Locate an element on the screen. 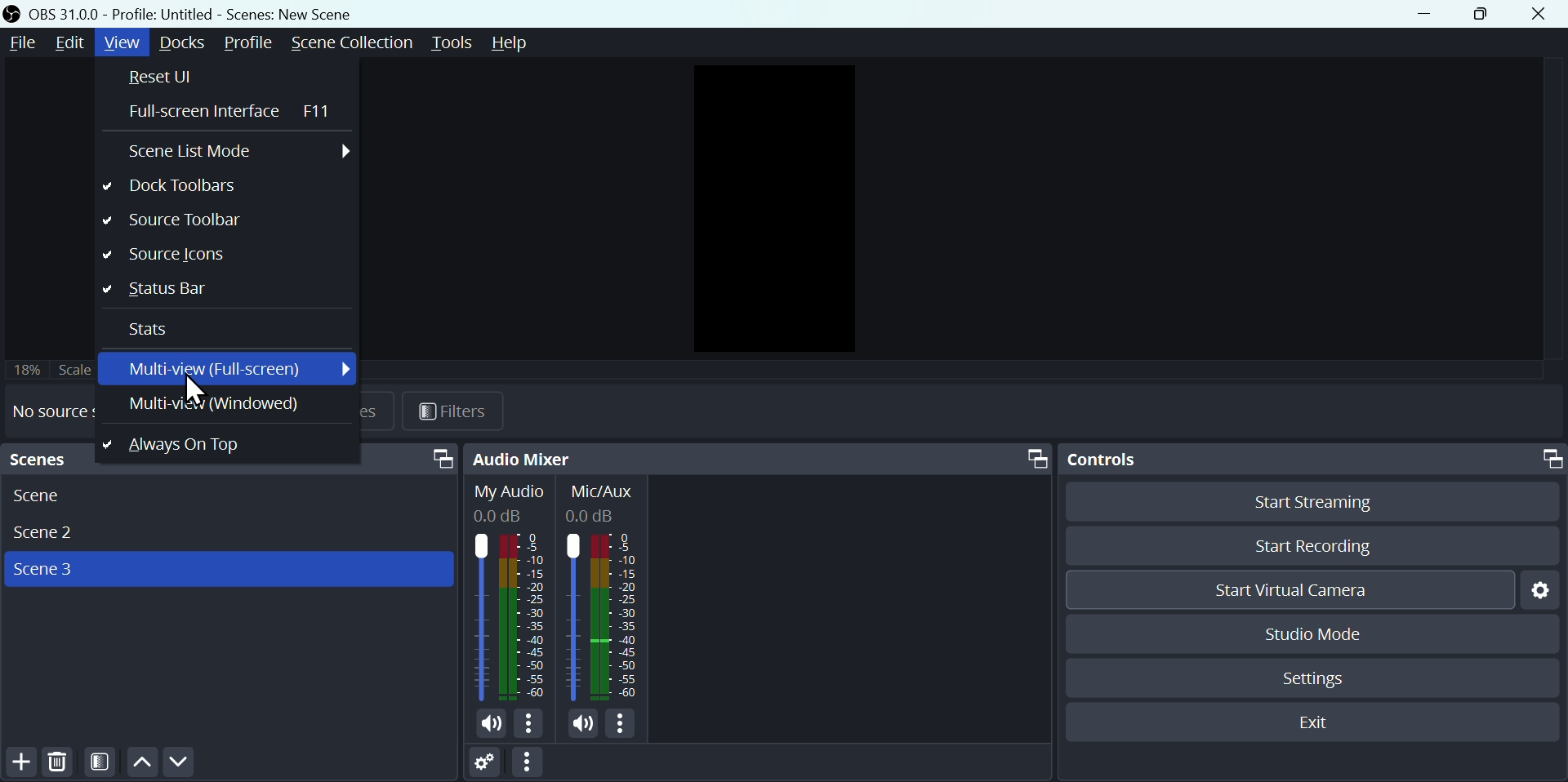  OBS Version is located at coordinates (65, 15).